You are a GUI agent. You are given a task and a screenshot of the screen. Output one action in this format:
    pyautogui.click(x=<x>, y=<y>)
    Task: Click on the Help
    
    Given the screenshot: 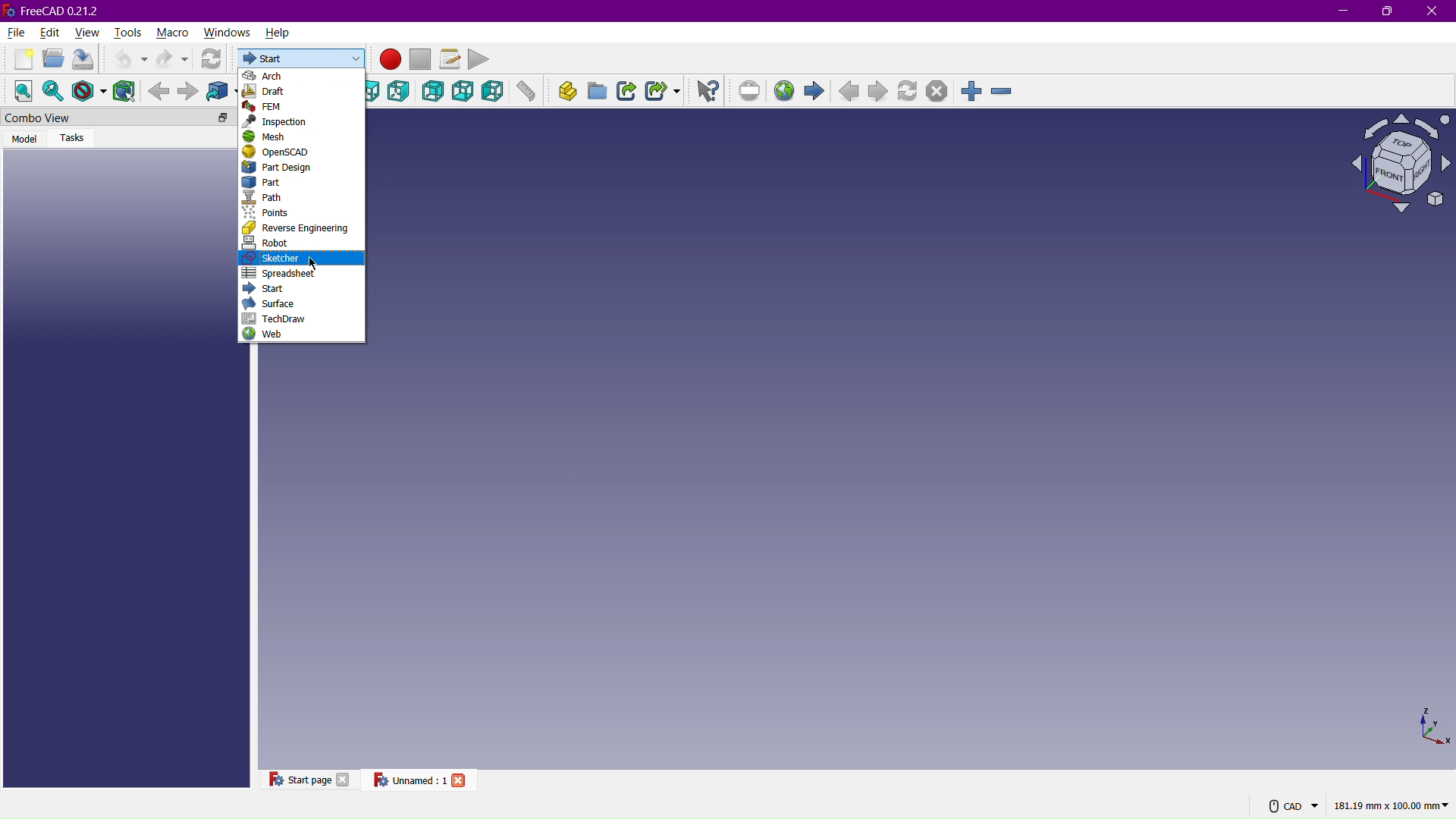 What is the action you would take?
    pyautogui.click(x=280, y=31)
    